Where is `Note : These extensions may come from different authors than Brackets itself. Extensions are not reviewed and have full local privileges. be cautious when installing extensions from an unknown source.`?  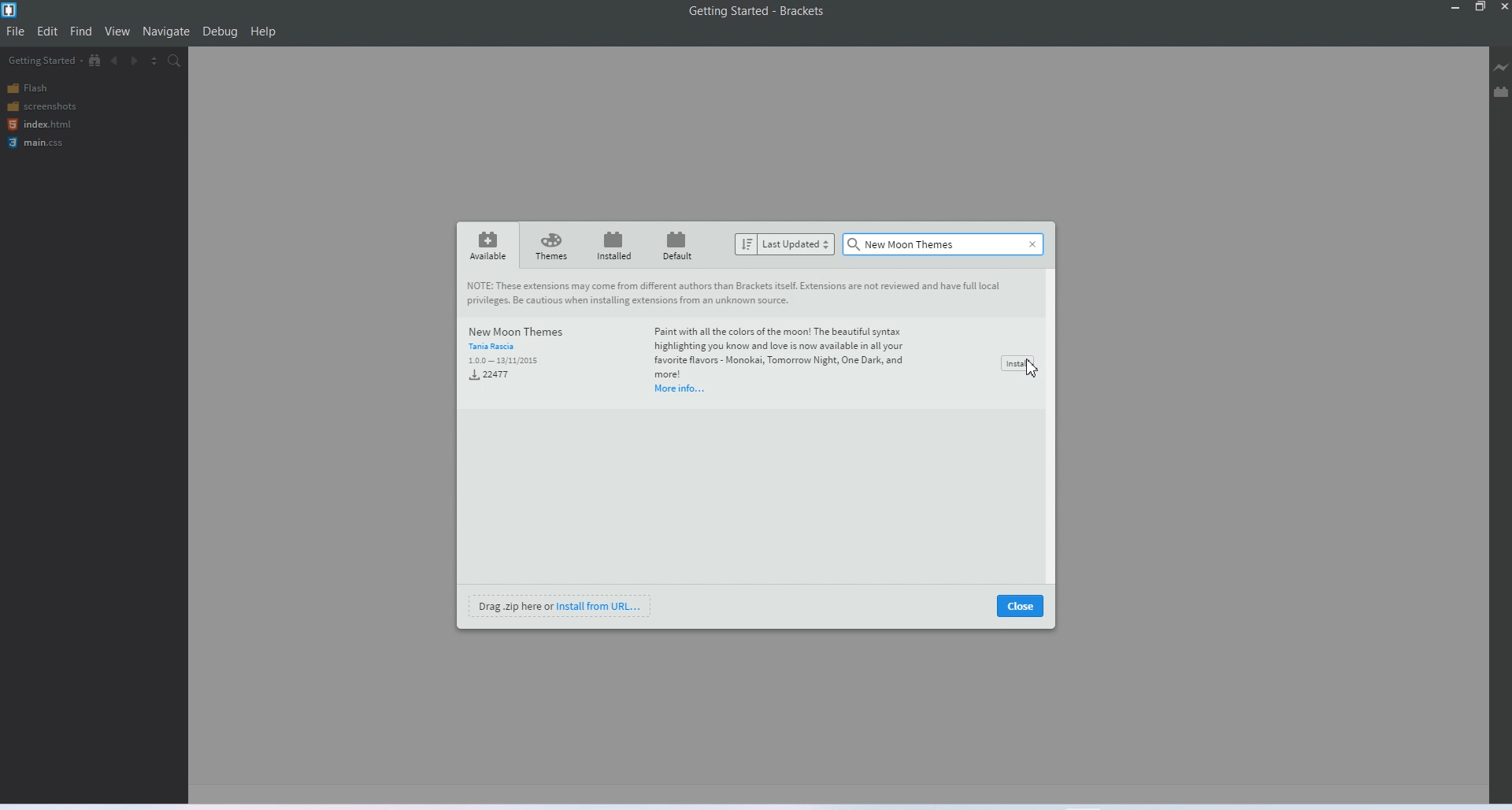
Note : These extensions may come from different authors than Brackets itself. Extensions are not reviewed and have full local privileges. be cautious when installing extensions from an unknown source. is located at coordinates (743, 291).